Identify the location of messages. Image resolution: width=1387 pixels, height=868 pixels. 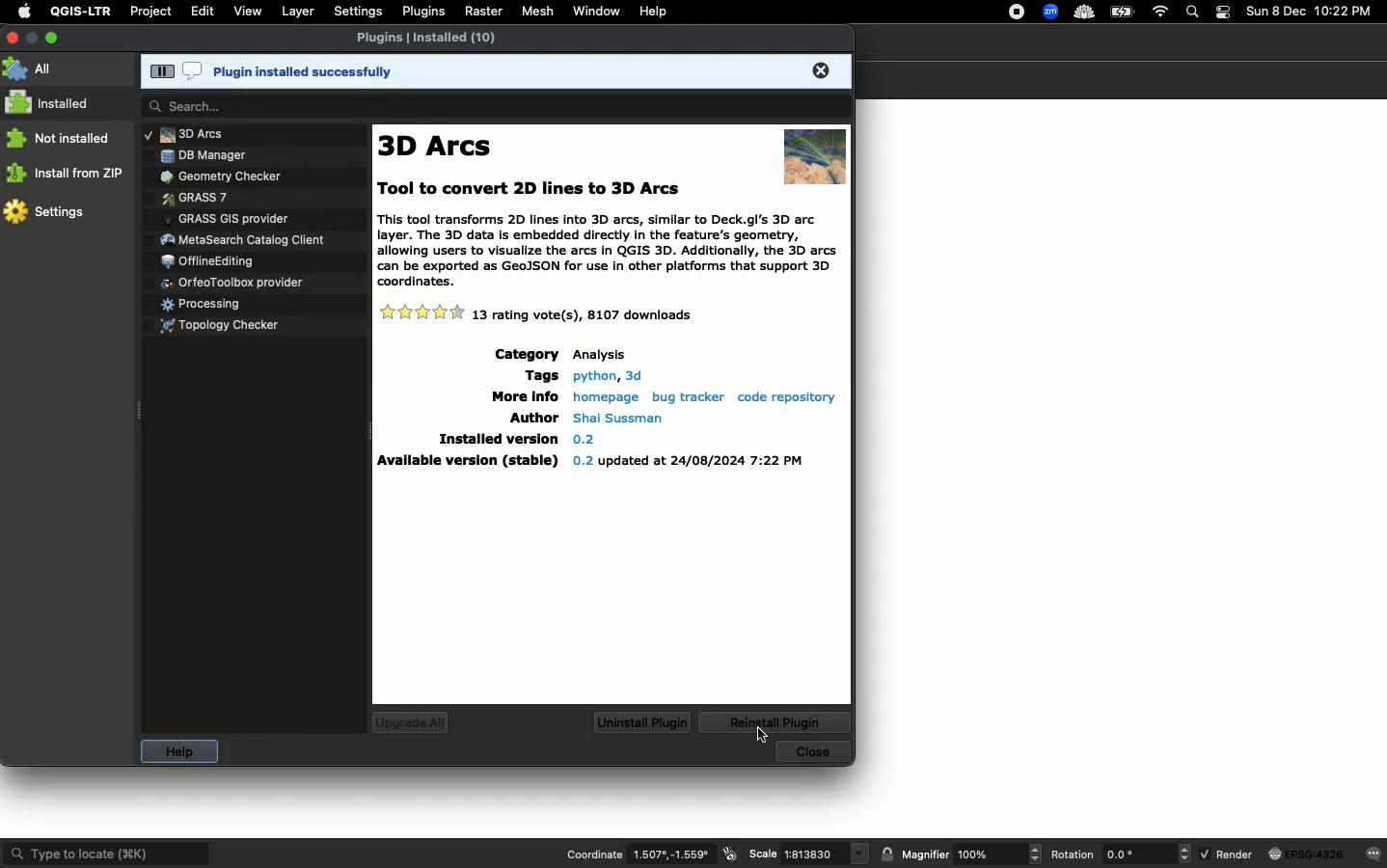
(1374, 853).